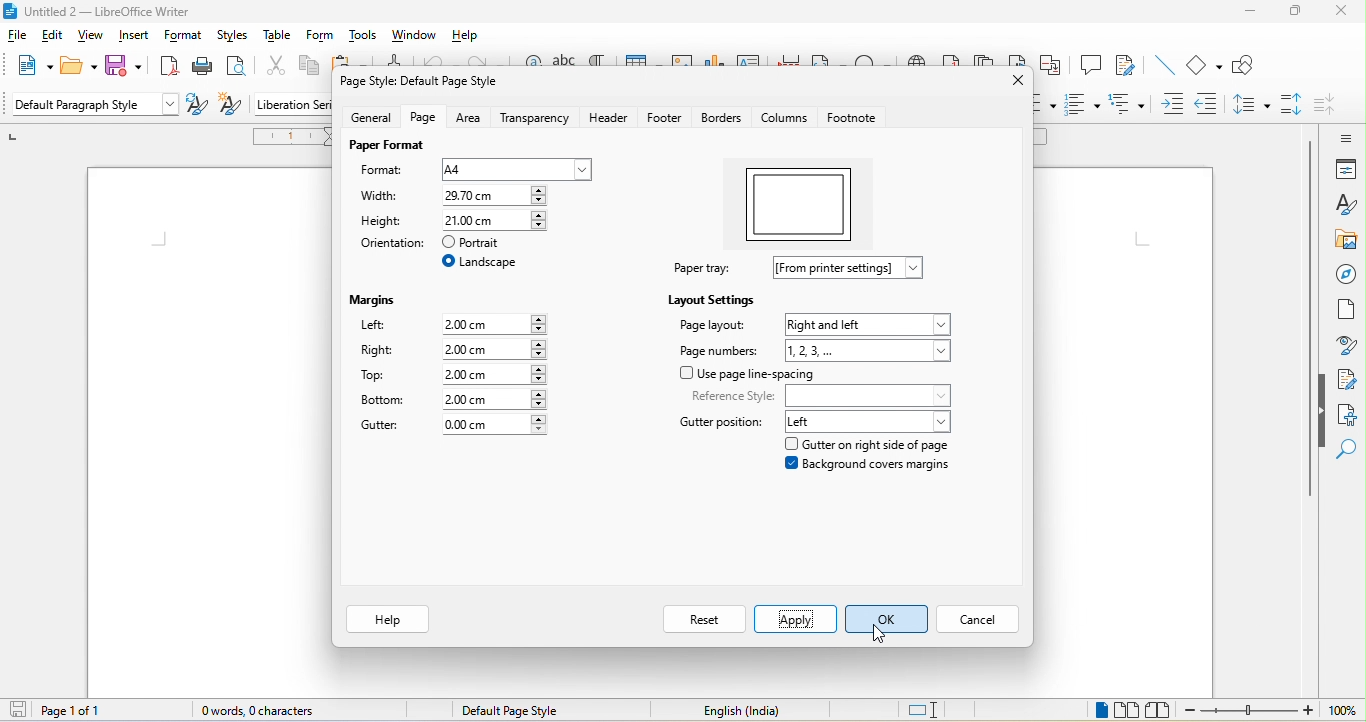 This screenshot has height=722, width=1366. What do you see at coordinates (1322, 411) in the screenshot?
I see `hide` at bounding box center [1322, 411].